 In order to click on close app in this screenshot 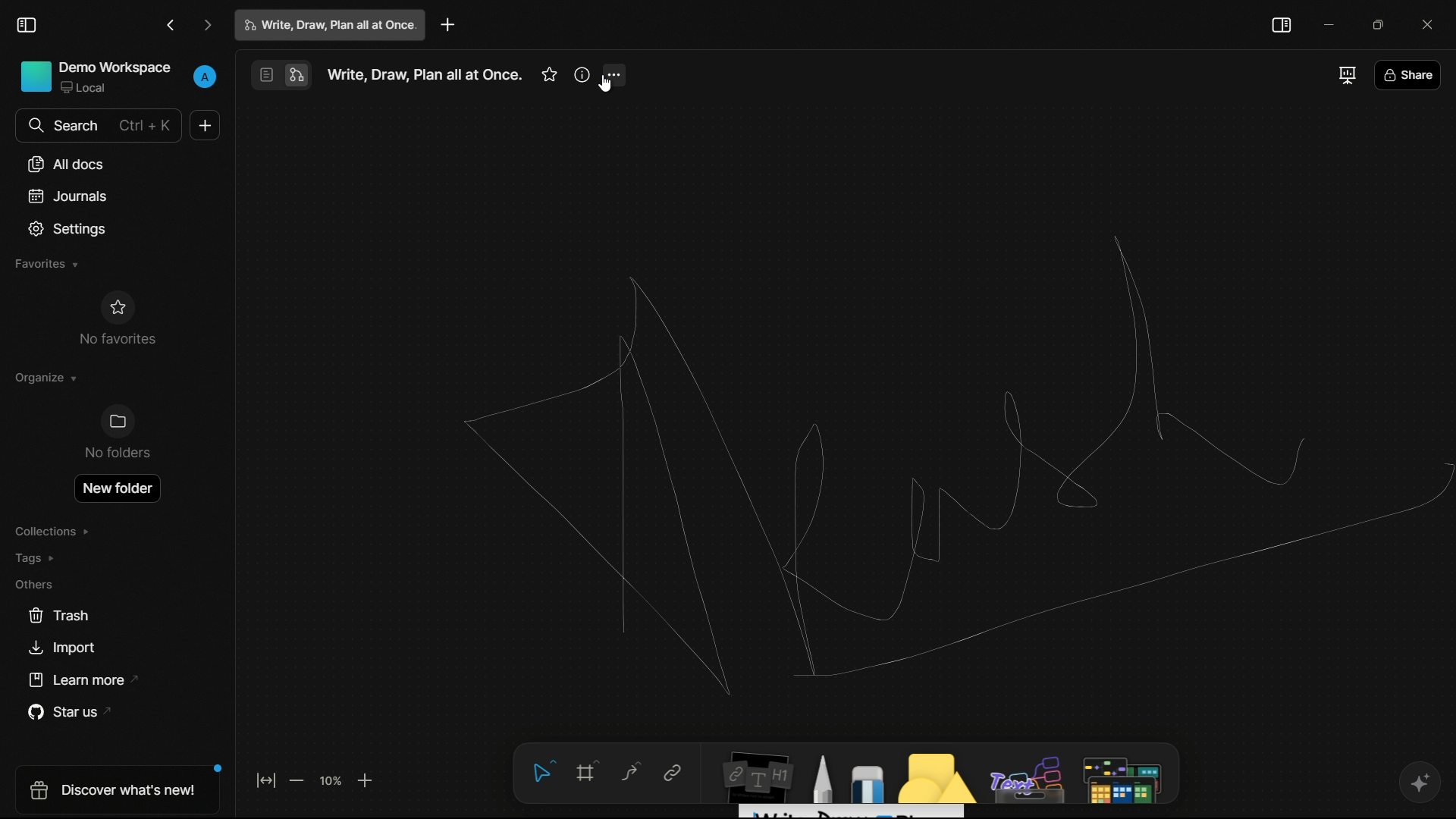, I will do `click(1428, 27)`.